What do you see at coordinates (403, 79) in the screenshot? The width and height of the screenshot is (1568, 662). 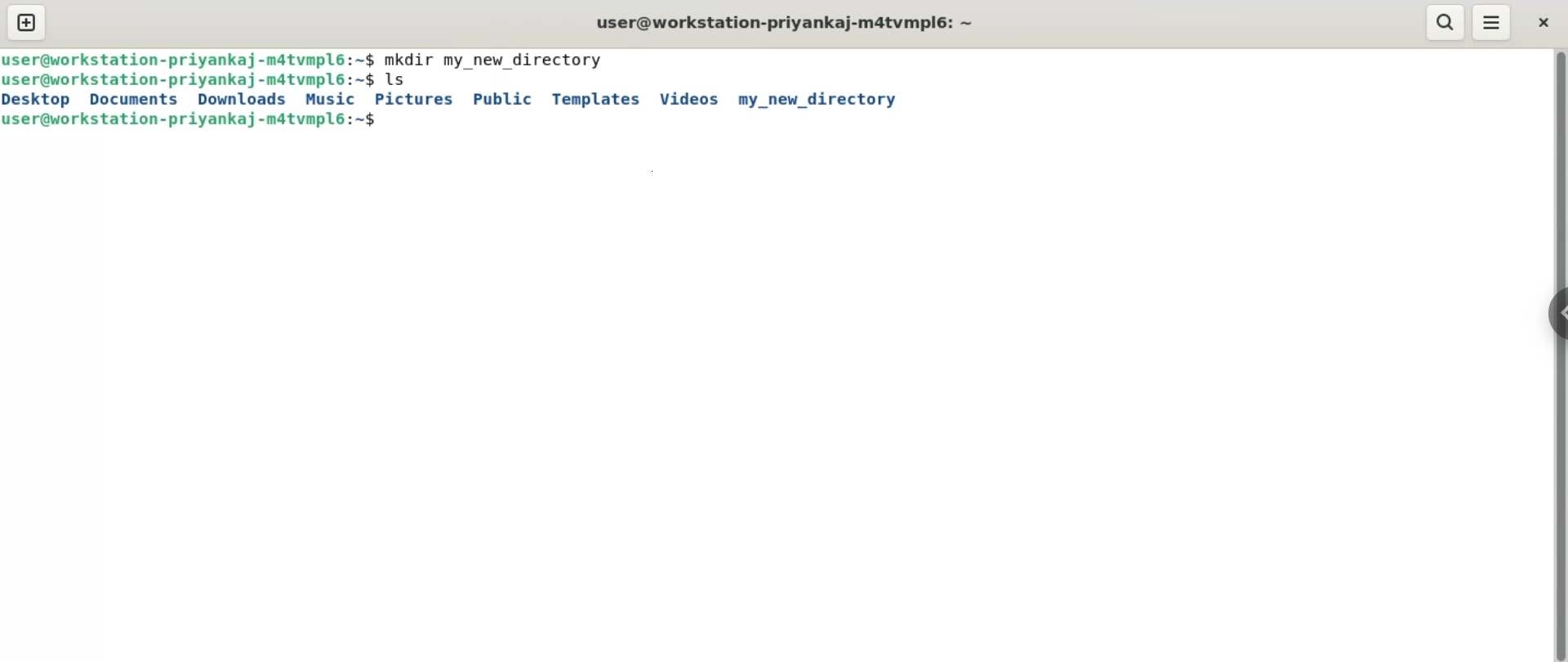 I see `ls` at bounding box center [403, 79].